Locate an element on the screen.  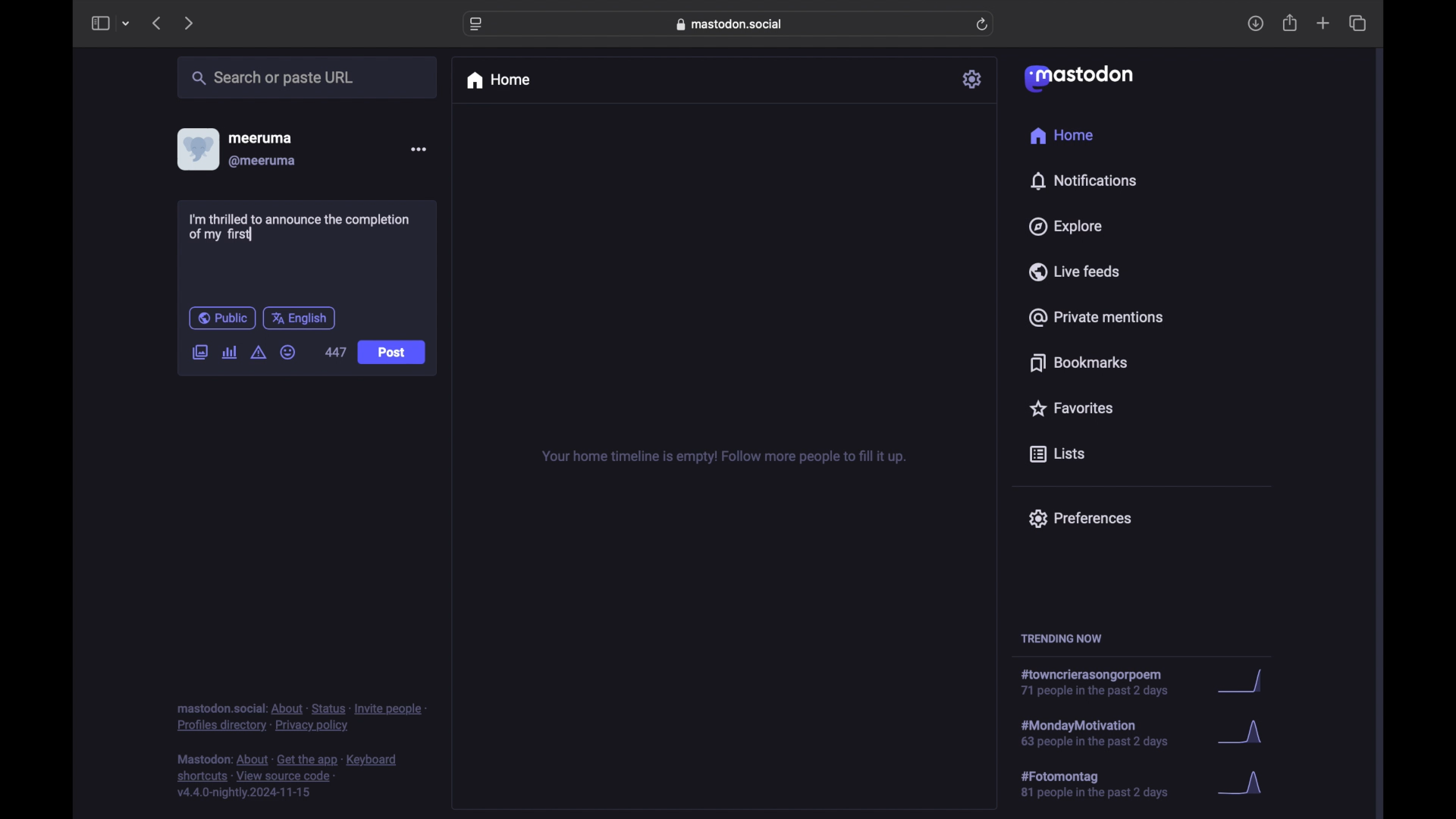
post is located at coordinates (393, 353).